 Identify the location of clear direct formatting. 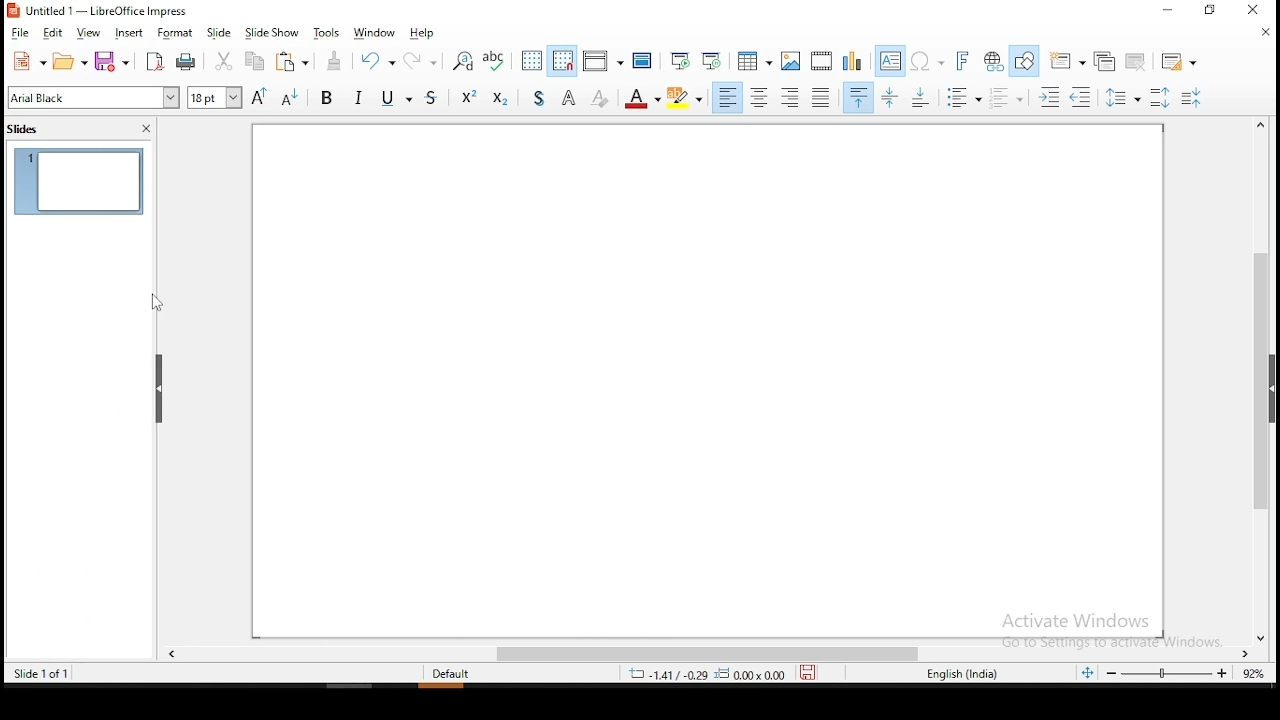
(602, 99).